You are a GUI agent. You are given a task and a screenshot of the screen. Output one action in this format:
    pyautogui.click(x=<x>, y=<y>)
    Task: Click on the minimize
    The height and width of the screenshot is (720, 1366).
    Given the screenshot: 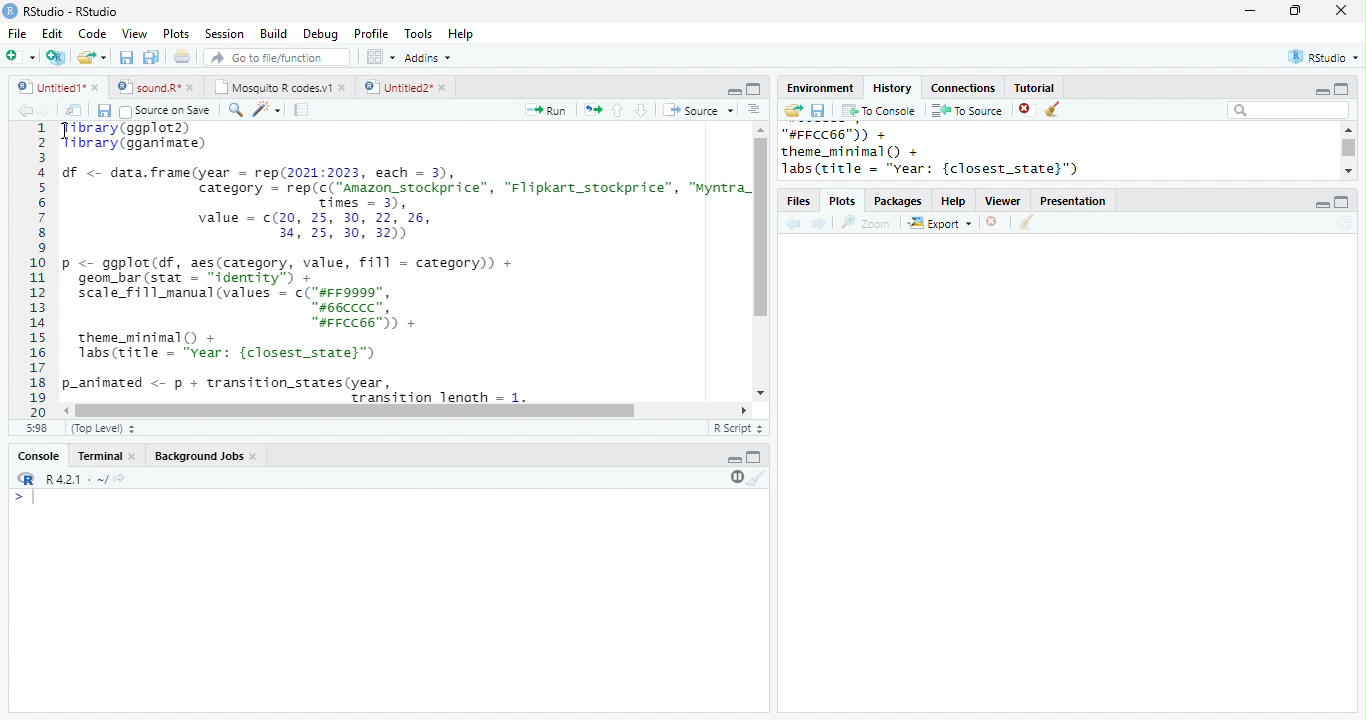 What is the action you would take?
    pyautogui.click(x=734, y=460)
    